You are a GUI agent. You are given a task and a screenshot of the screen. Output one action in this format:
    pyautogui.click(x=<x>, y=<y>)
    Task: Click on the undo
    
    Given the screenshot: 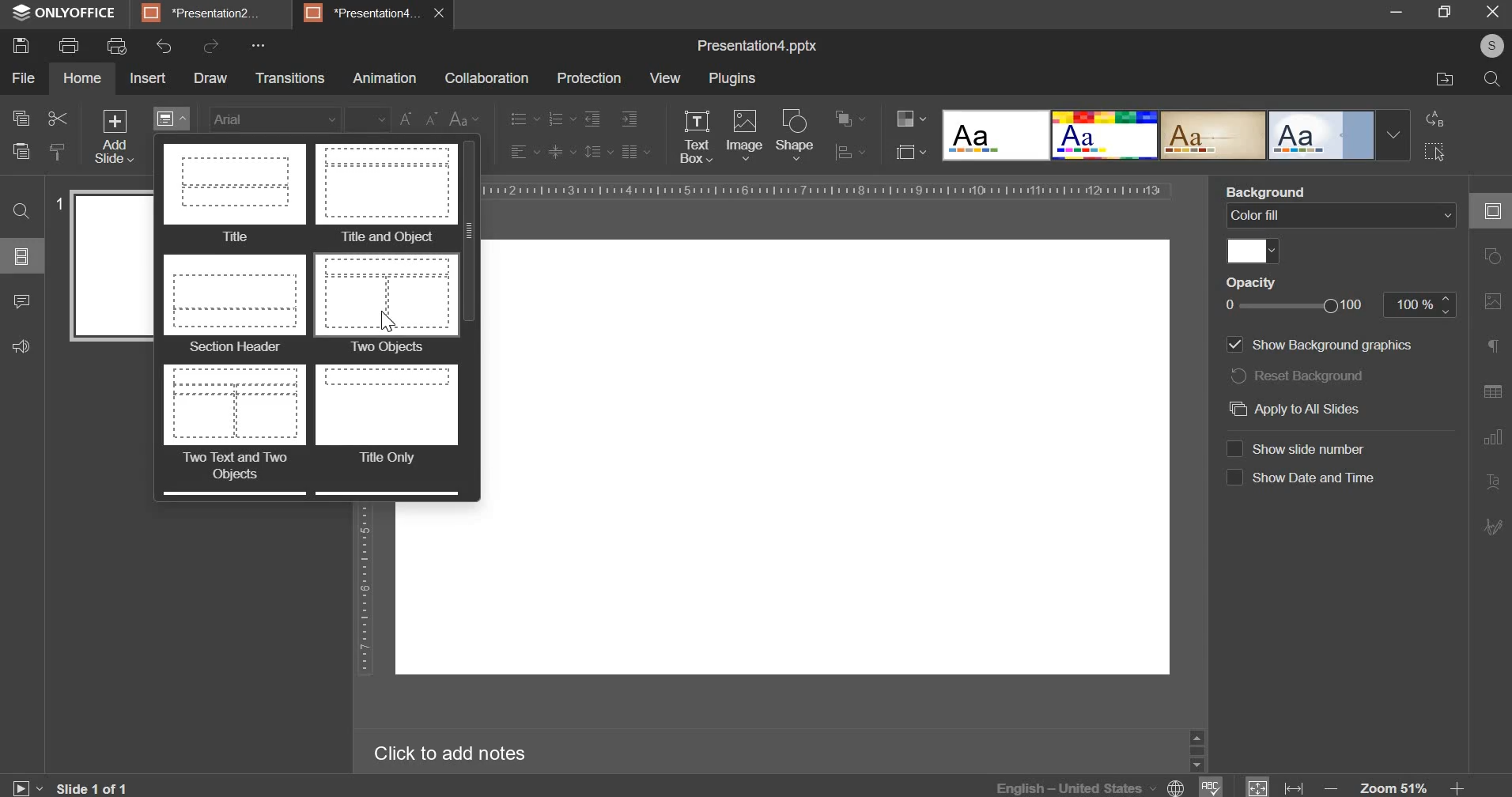 What is the action you would take?
    pyautogui.click(x=161, y=47)
    